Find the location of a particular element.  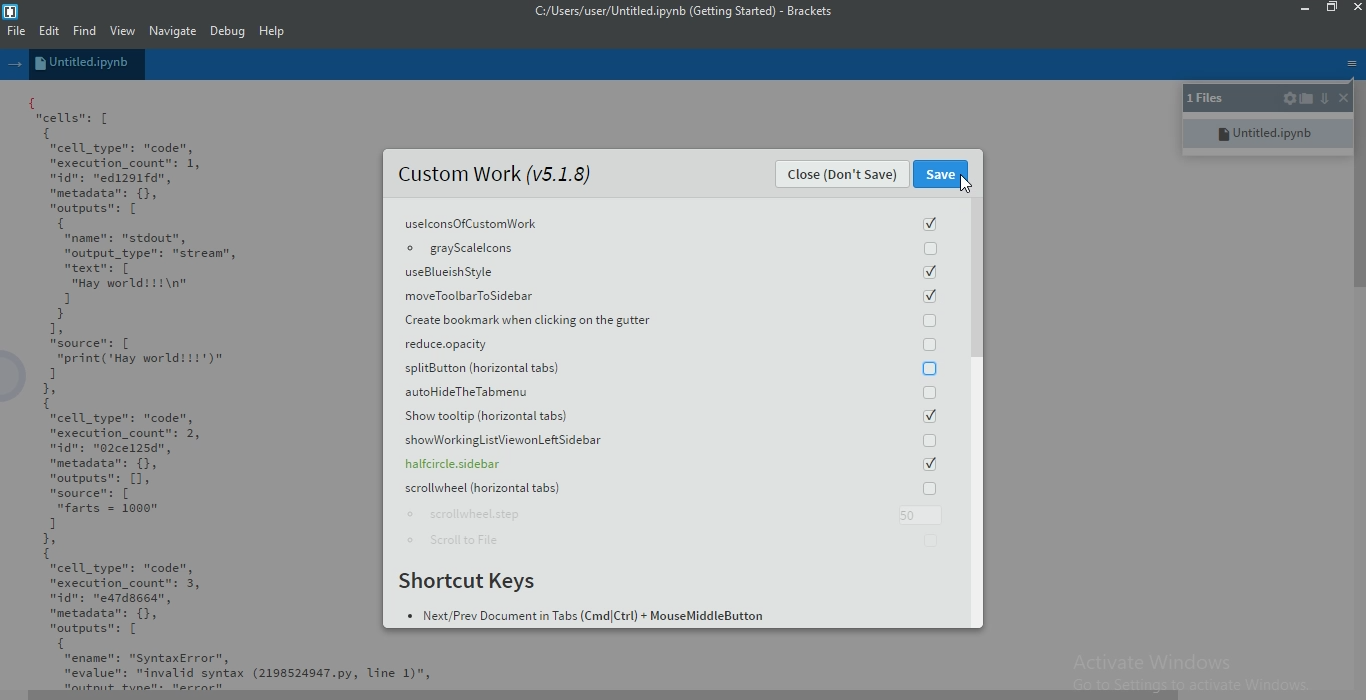

scrollwheel horizontal tabs is located at coordinates (666, 489).